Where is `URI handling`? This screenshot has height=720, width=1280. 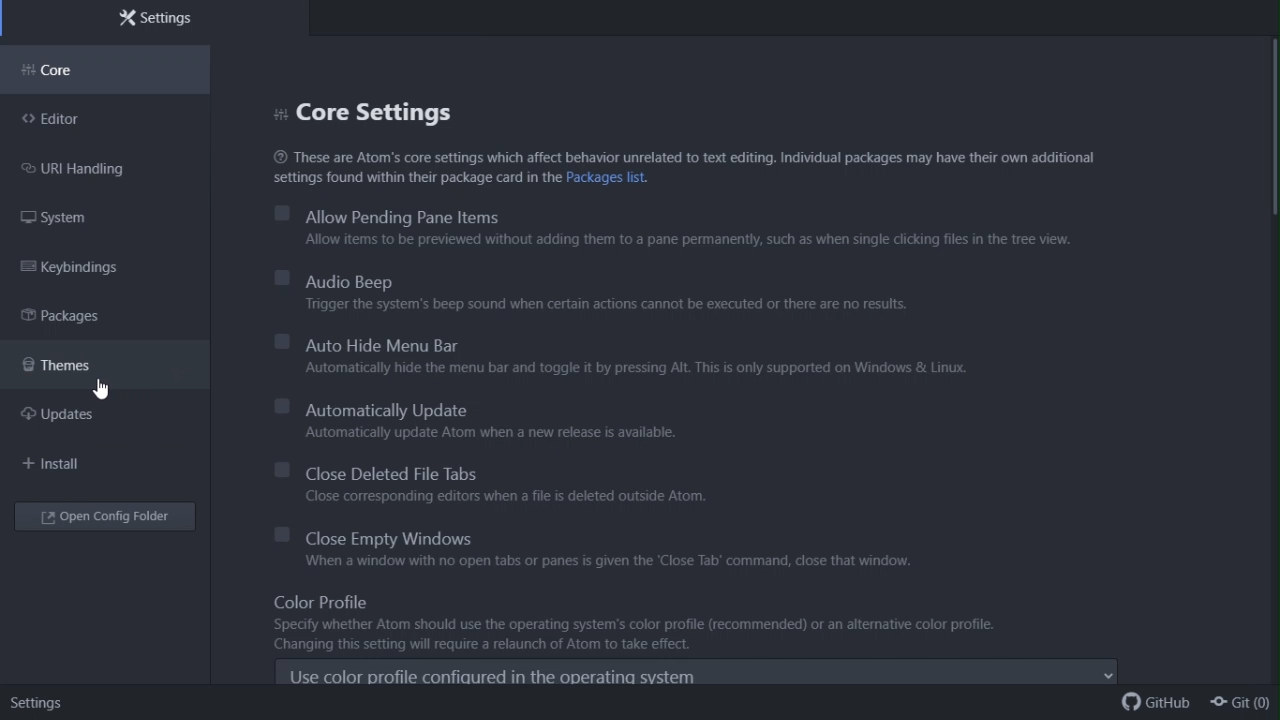 URI handling is located at coordinates (91, 170).